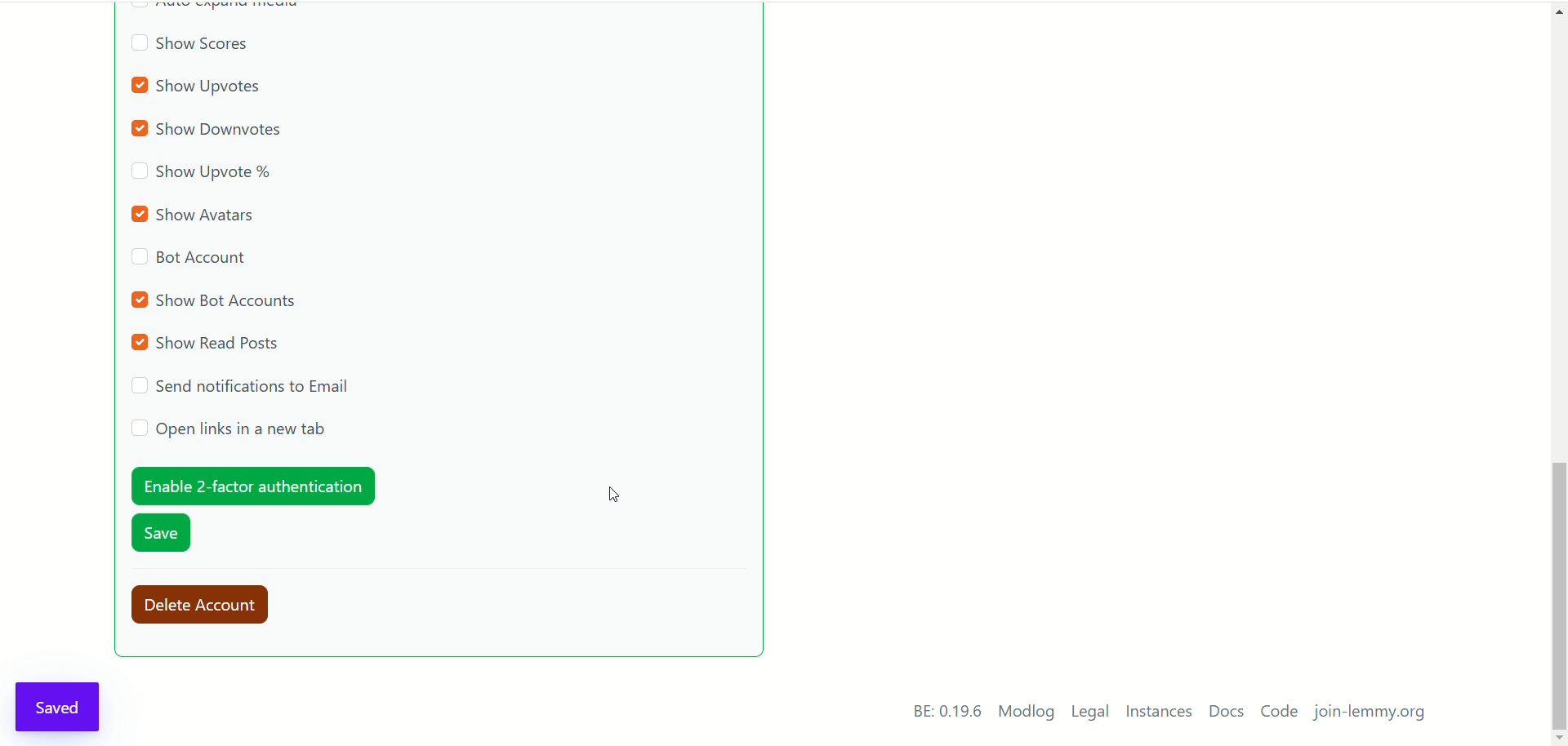 The height and width of the screenshot is (746, 1568). Describe the element at coordinates (1027, 713) in the screenshot. I see `modlog` at that location.